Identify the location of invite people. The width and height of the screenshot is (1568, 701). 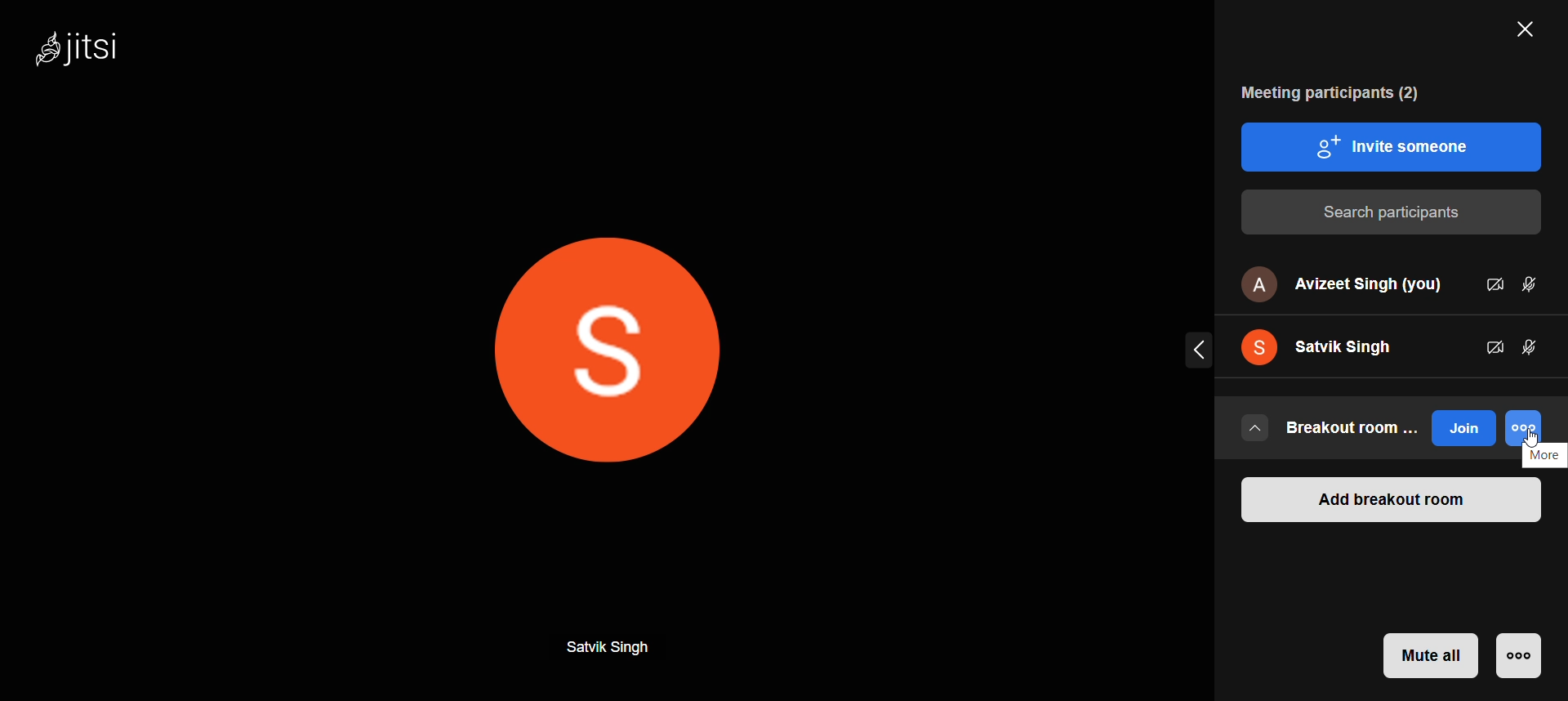
(1391, 146).